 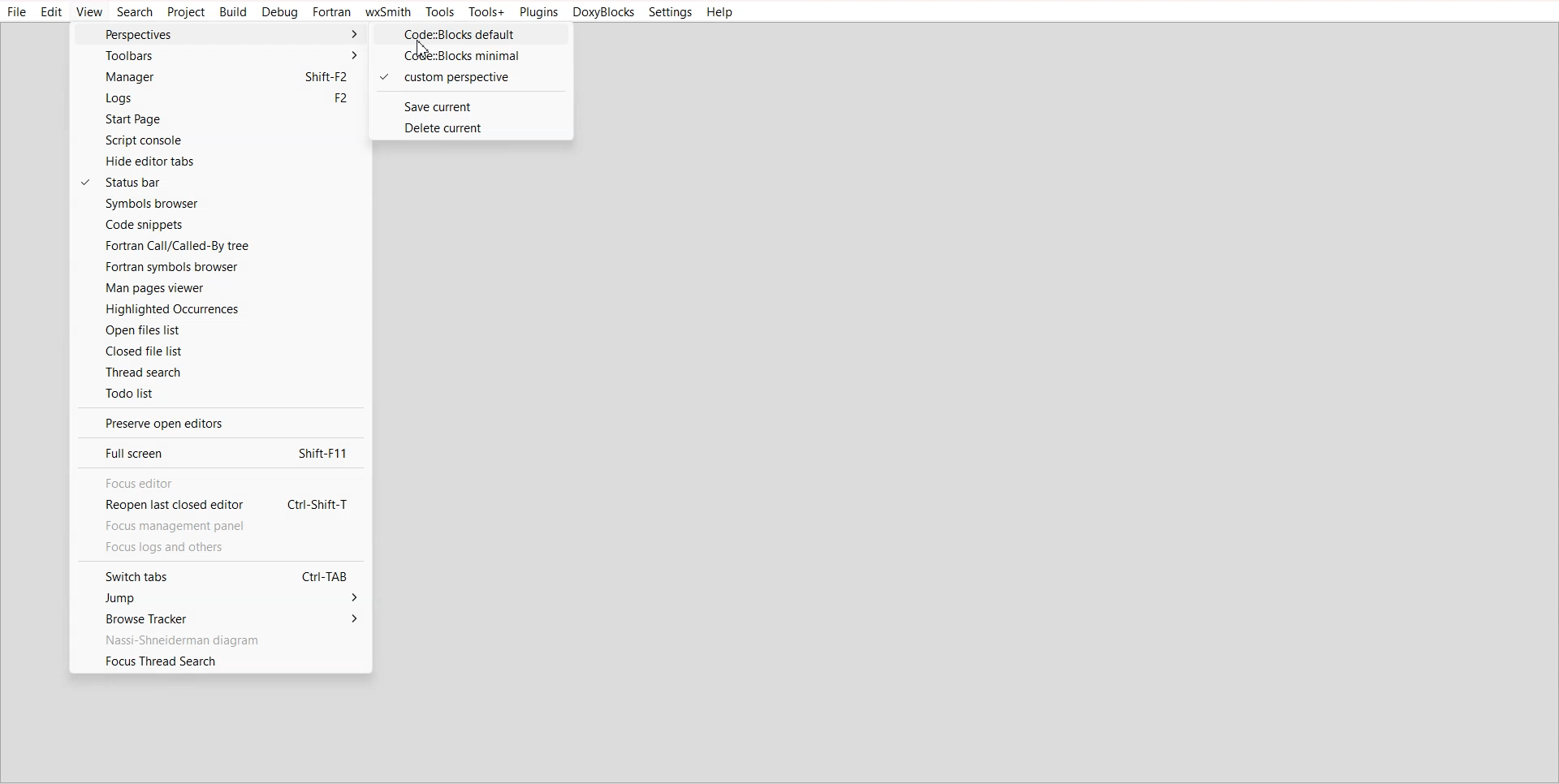 What do you see at coordinates (604, 13) in the screenshot?
I see `DoxyBlocks` at bounding box center [604, 13].